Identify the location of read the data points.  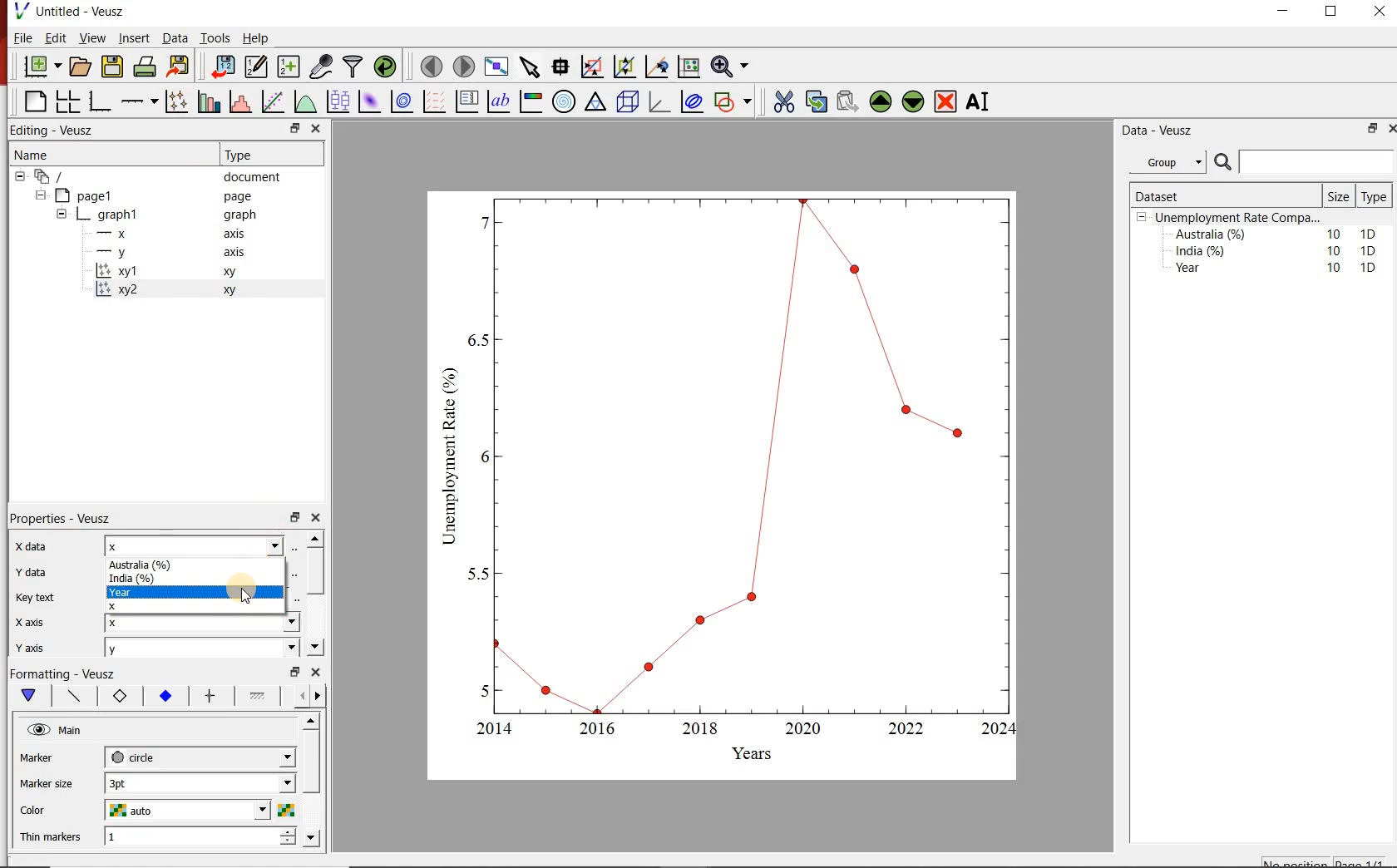
(562, 66).